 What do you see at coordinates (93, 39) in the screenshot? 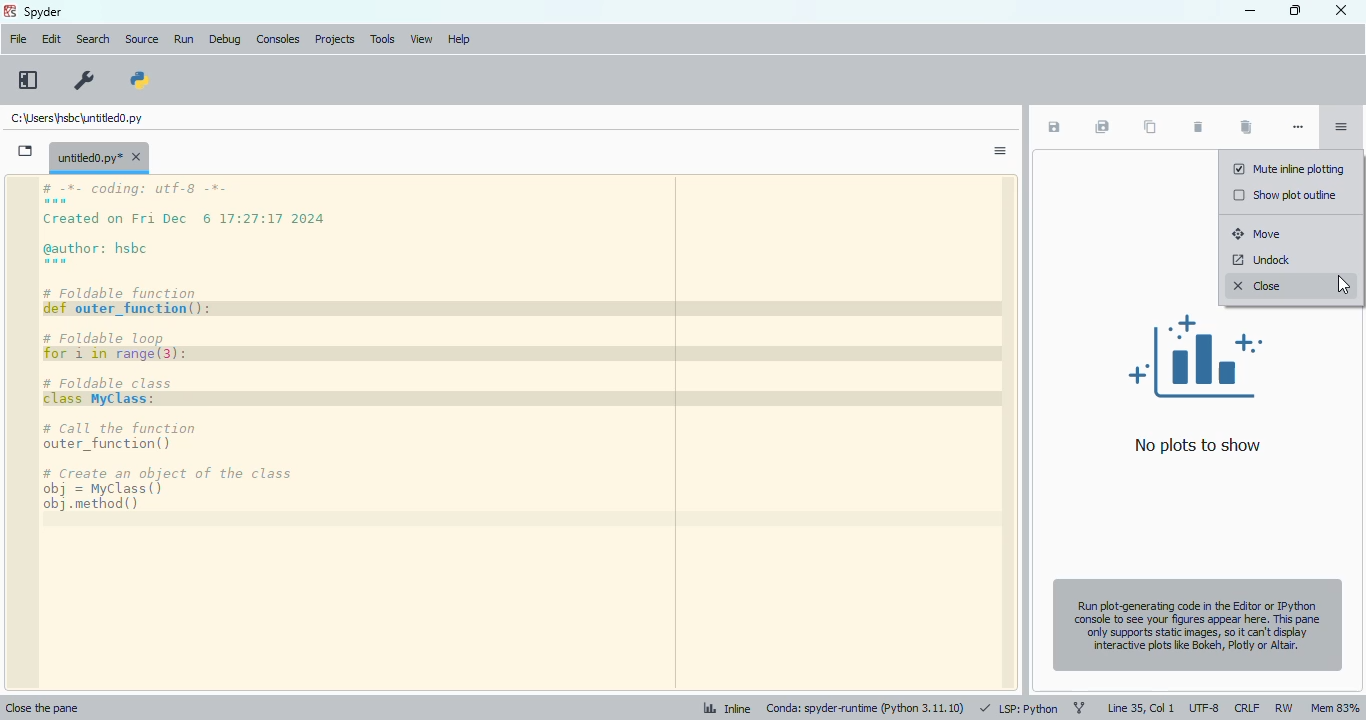
I see `search` at bounding box center [93, 39].